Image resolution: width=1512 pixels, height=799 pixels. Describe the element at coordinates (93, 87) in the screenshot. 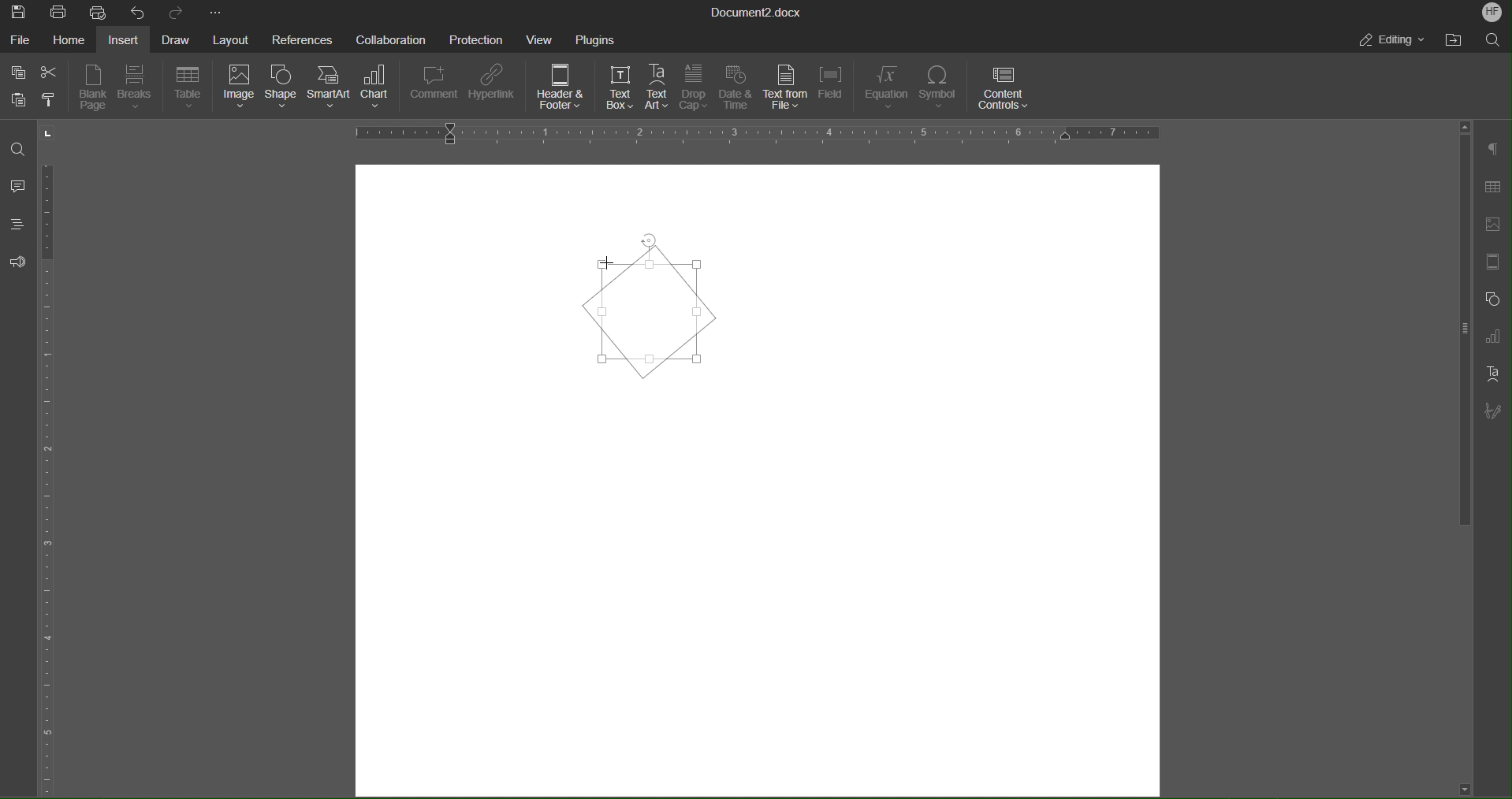

I see `Blank Page` at that location.